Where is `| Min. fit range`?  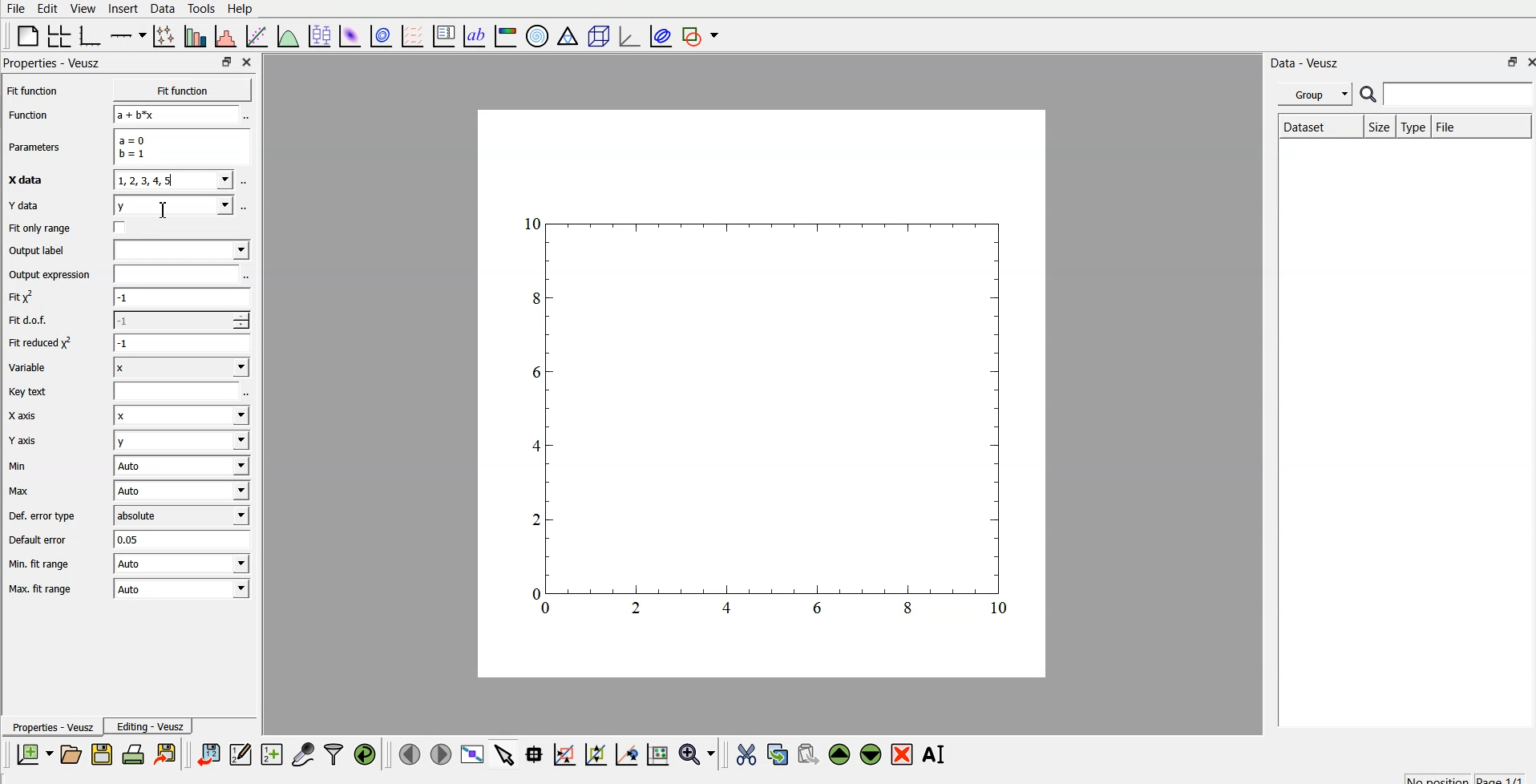 | Min. fit range is located at coordinates (39, 564).